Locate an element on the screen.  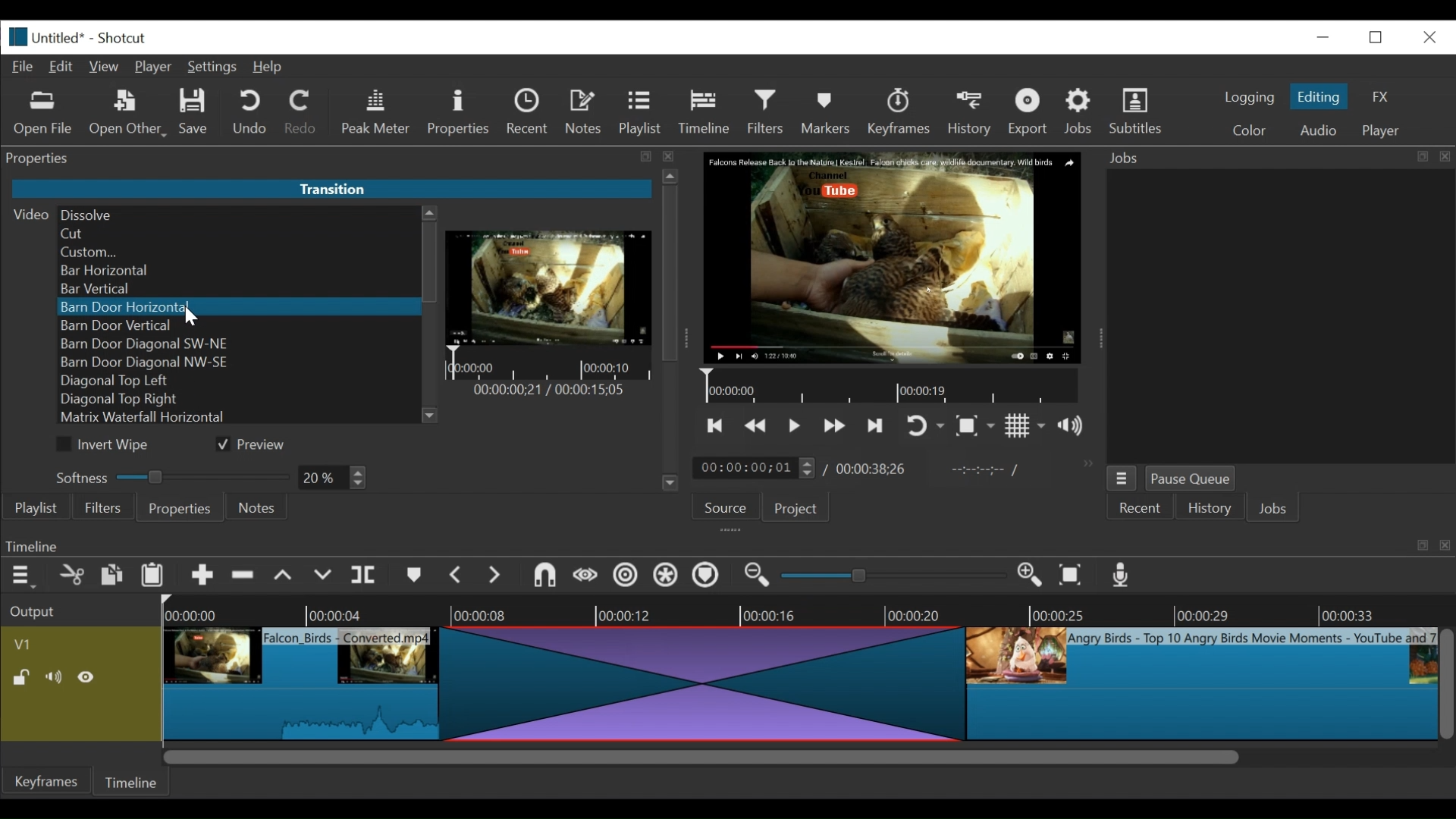
next marker is located at coordinates (497, 576).